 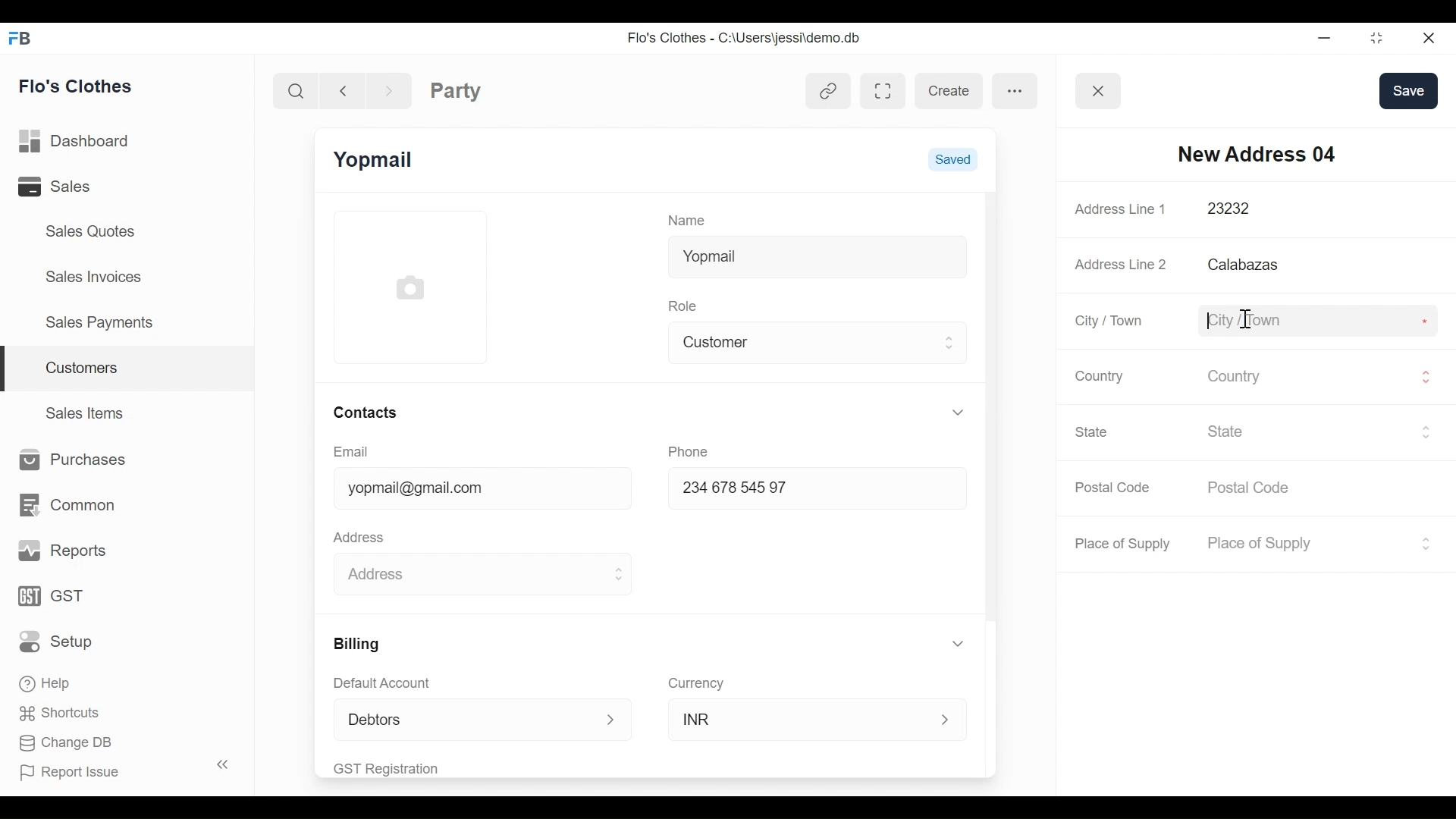 I want to click on City / Town, so click(x=1311, y=318).